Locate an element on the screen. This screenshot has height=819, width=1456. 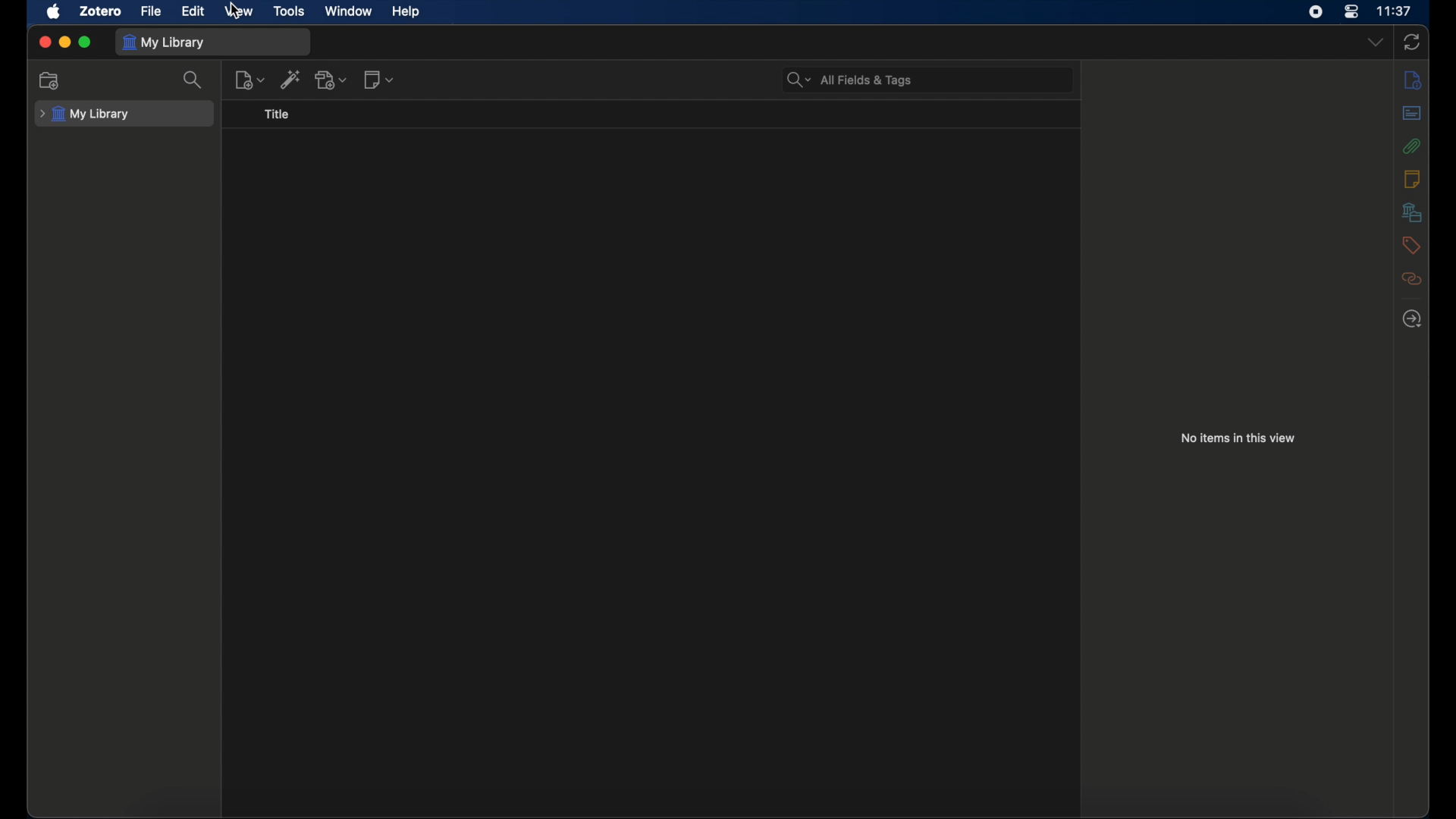
maximize is located at coordinates (86, 43).